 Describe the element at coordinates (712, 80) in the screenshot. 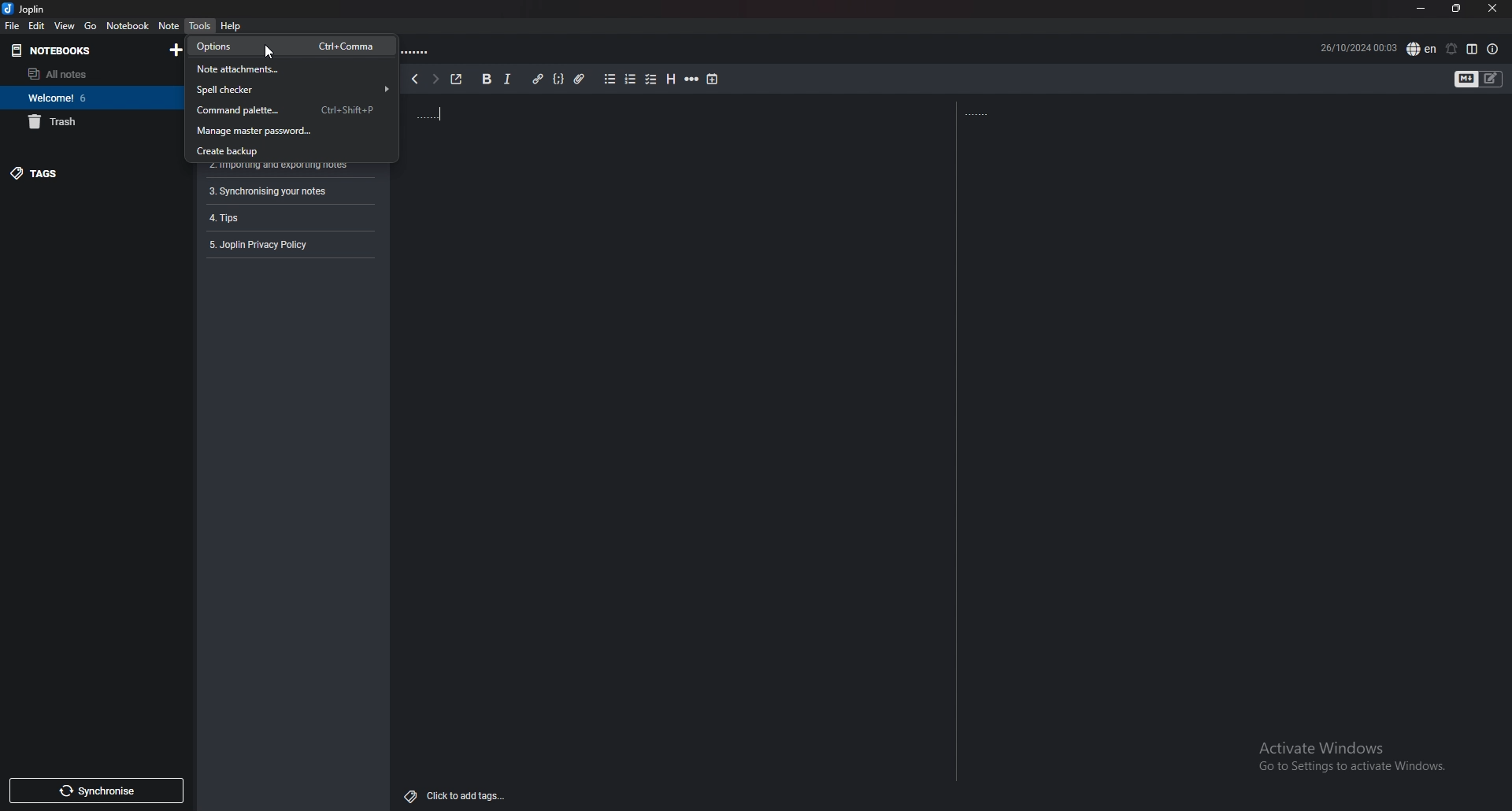

I see `insert time` at that location.